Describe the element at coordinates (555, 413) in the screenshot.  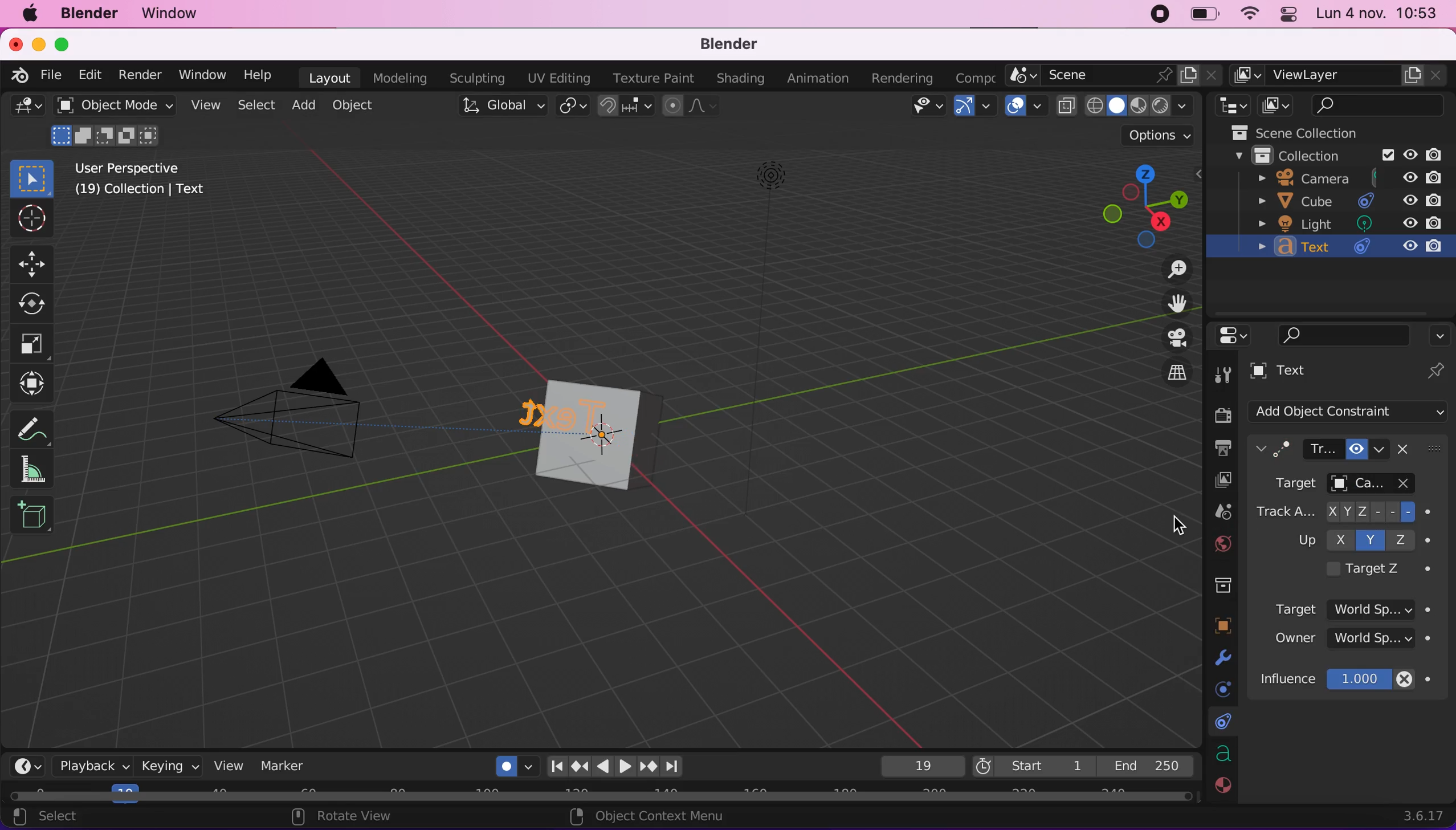
I see `text ` at that location.